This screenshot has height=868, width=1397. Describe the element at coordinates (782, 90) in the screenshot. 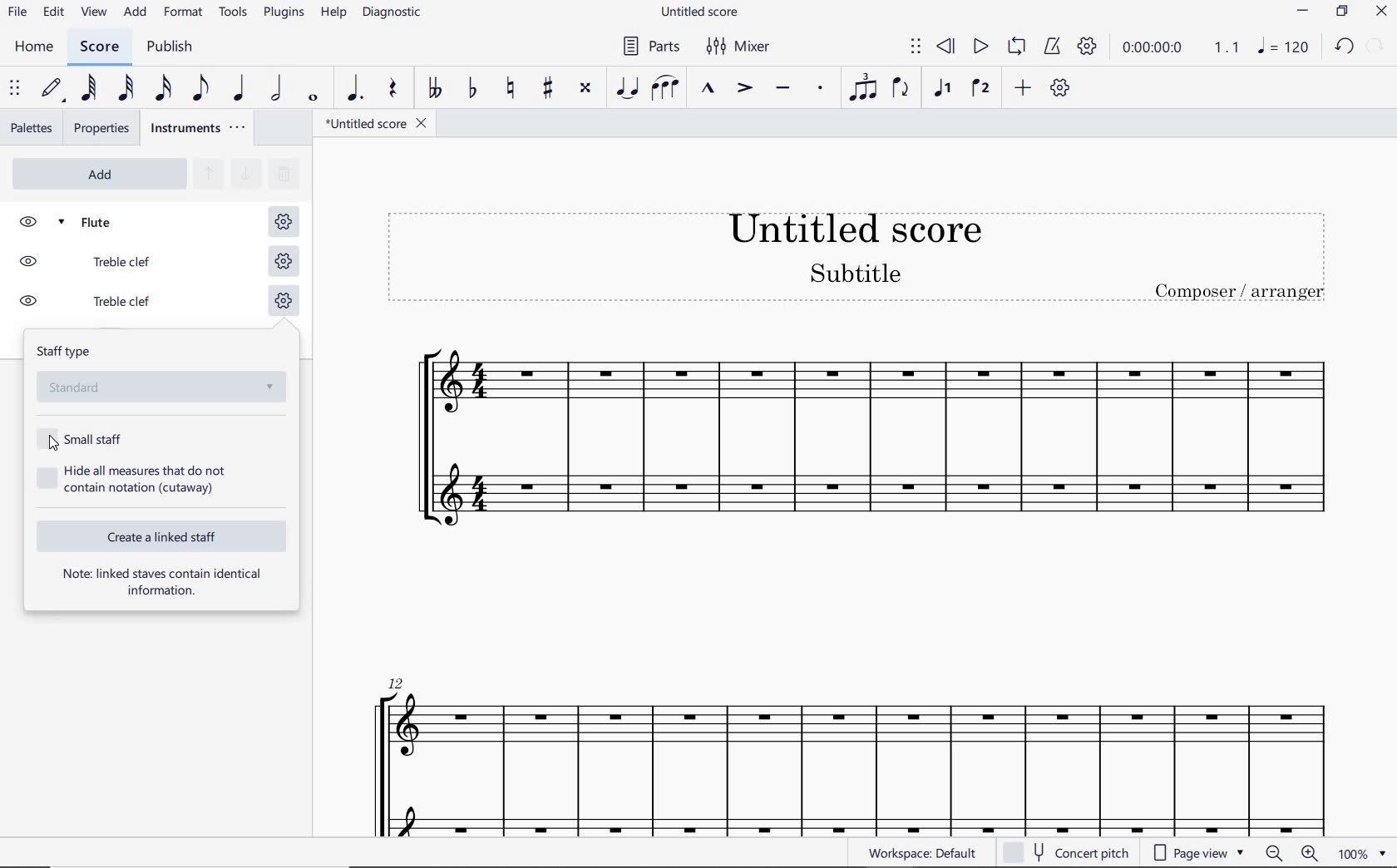

I see `TENUTO` at that location.